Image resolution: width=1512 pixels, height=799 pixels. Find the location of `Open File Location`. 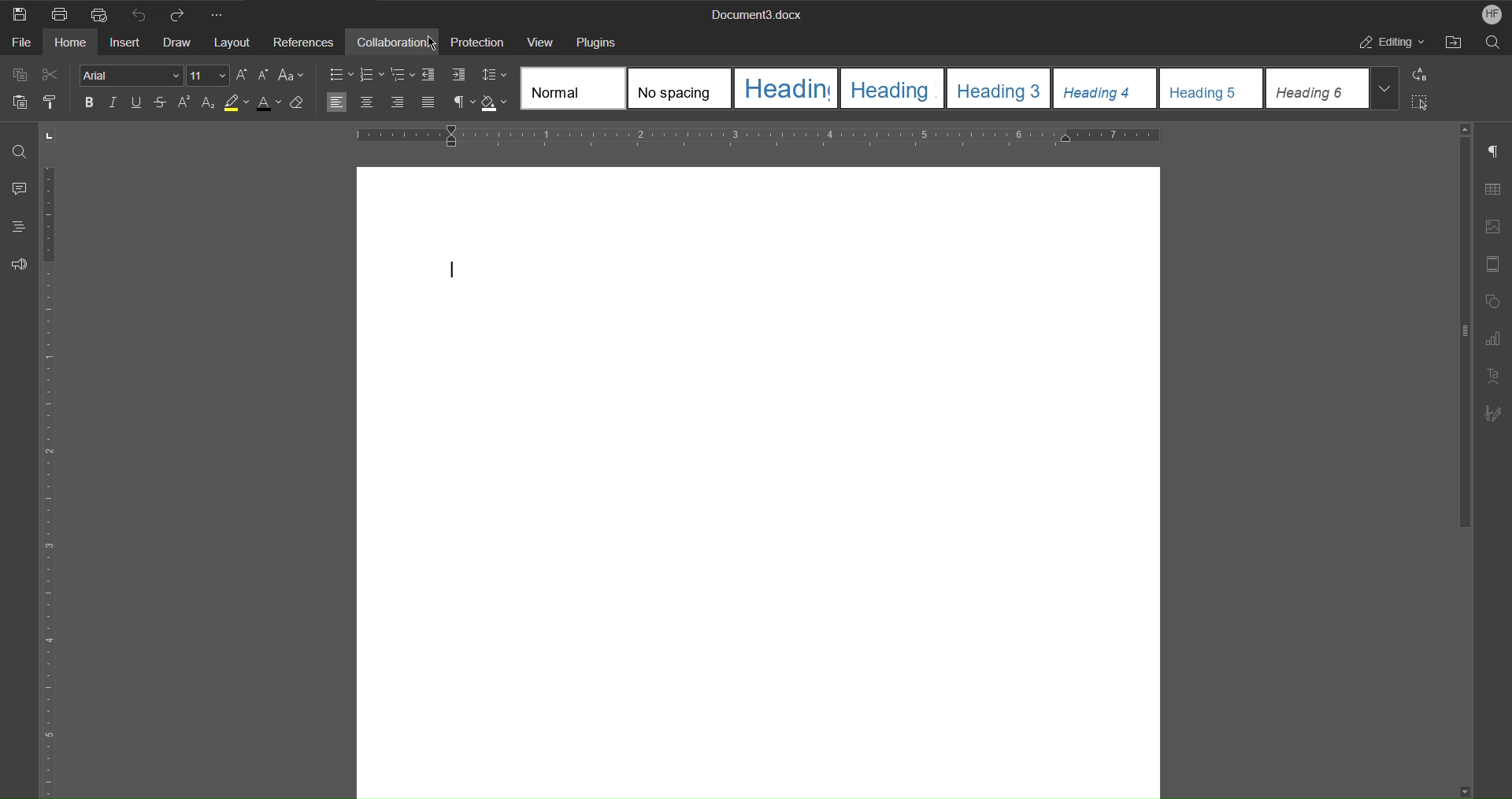

Open File Location is located at coordinates (1453, 43).